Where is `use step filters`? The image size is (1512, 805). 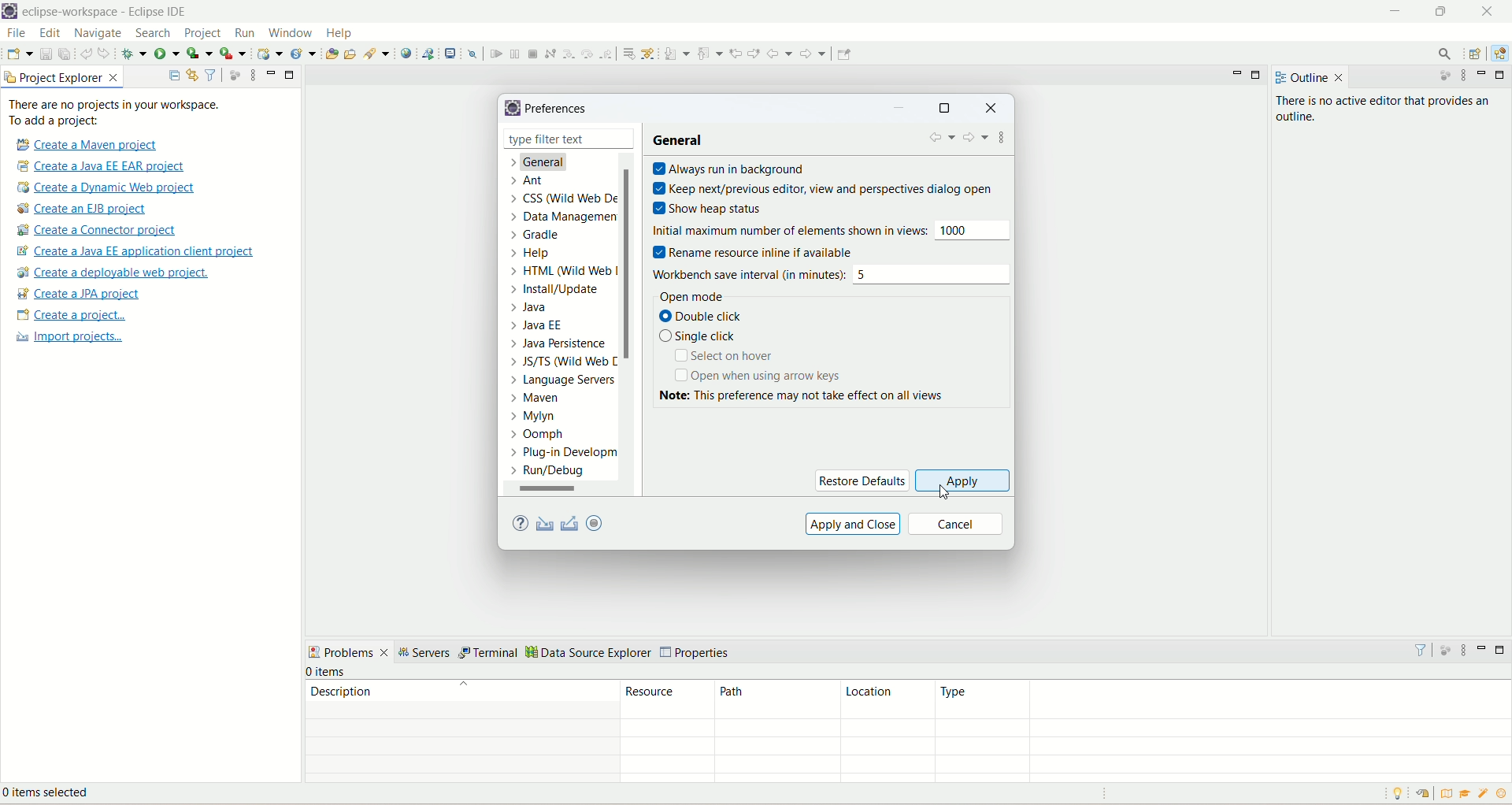 use step filters is located at coordinates (649, 53).